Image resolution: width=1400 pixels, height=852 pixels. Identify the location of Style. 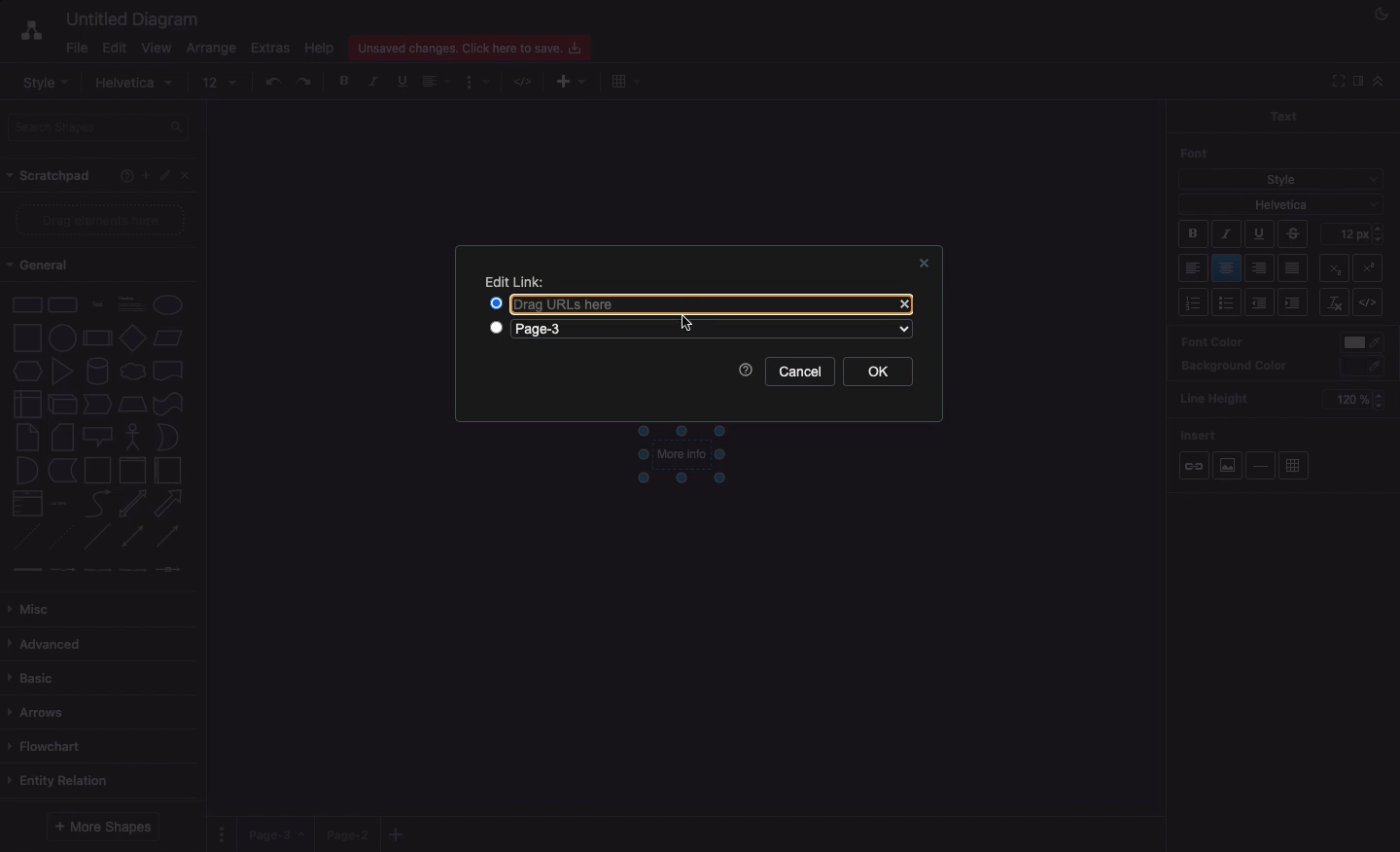
(45, 82).